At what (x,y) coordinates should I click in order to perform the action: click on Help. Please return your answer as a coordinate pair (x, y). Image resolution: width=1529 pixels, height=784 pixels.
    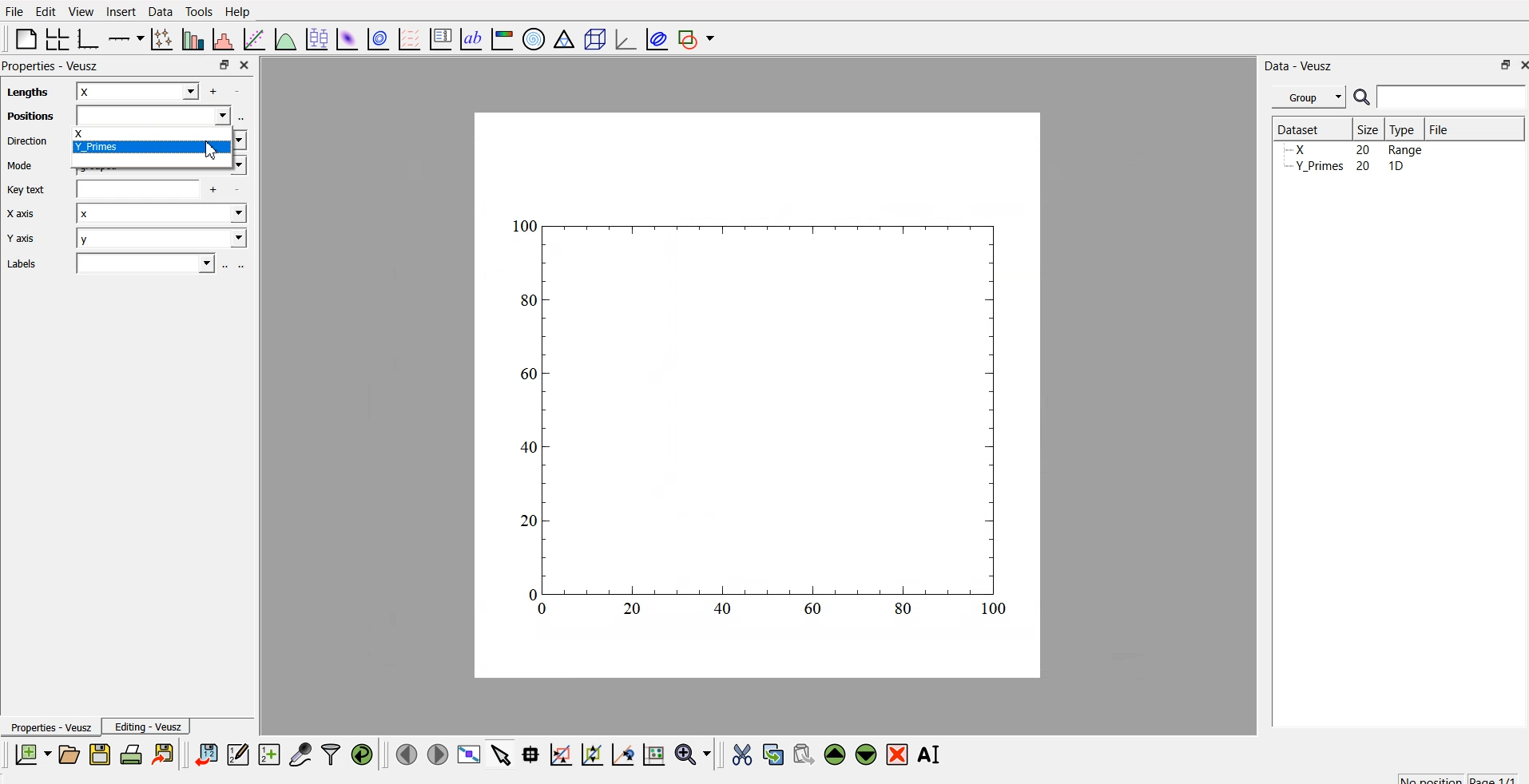
    Looking at the image, I should click on (241, 11).